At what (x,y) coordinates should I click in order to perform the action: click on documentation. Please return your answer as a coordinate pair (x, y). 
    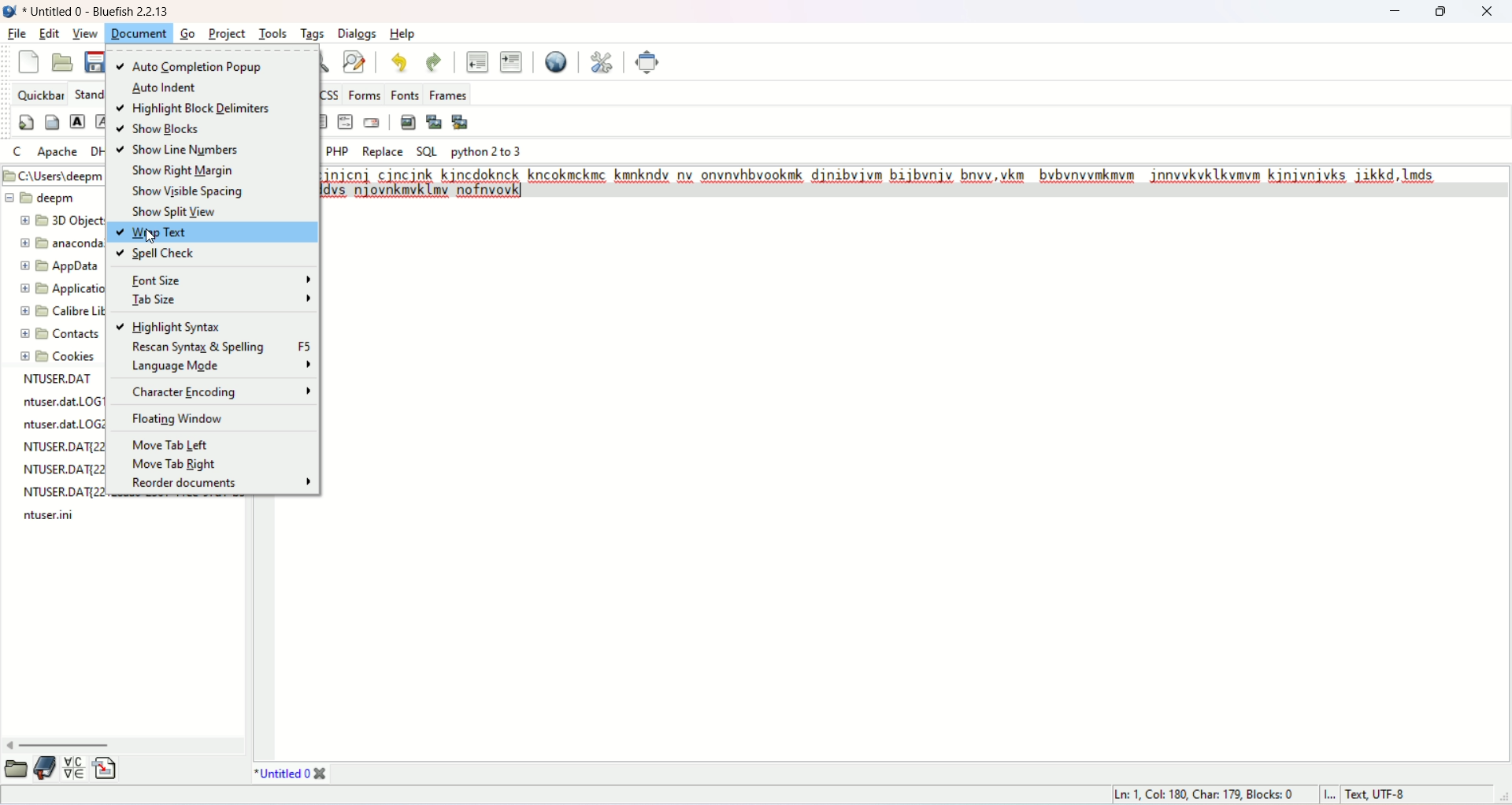
    Looking at the image, I should click on (46, 771).